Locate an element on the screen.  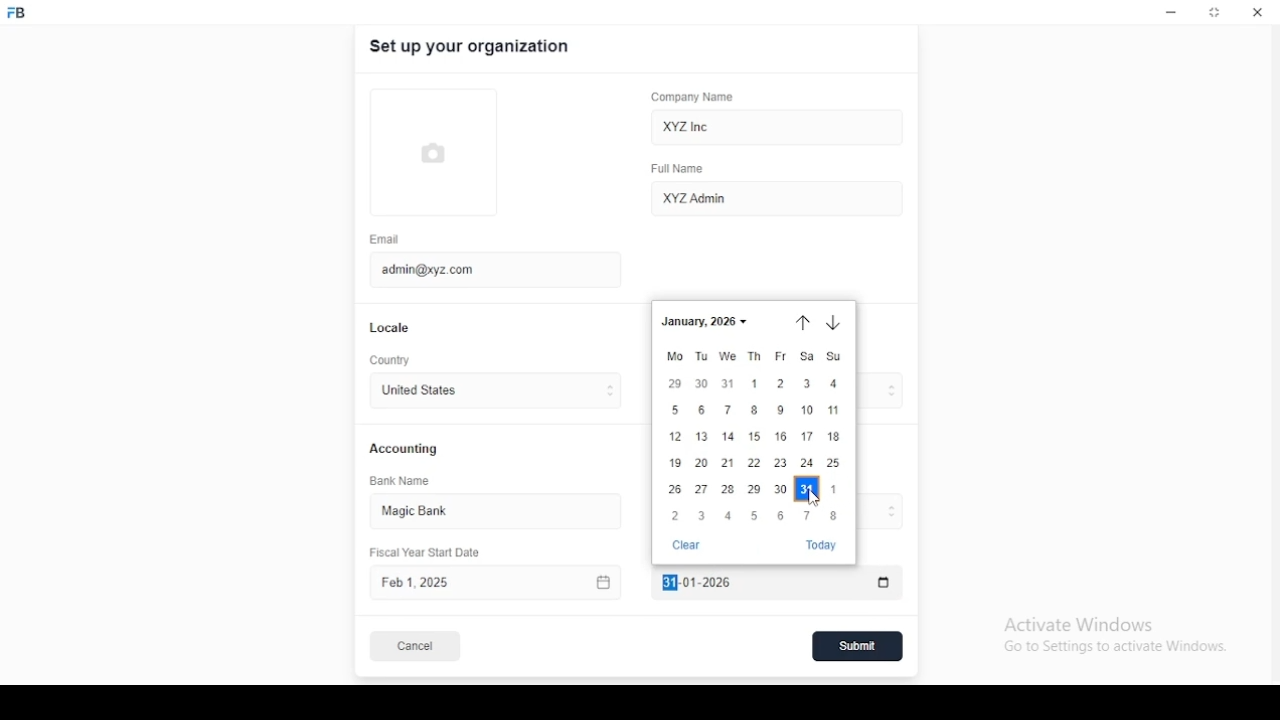
mo is located at coordinates (674, 357).